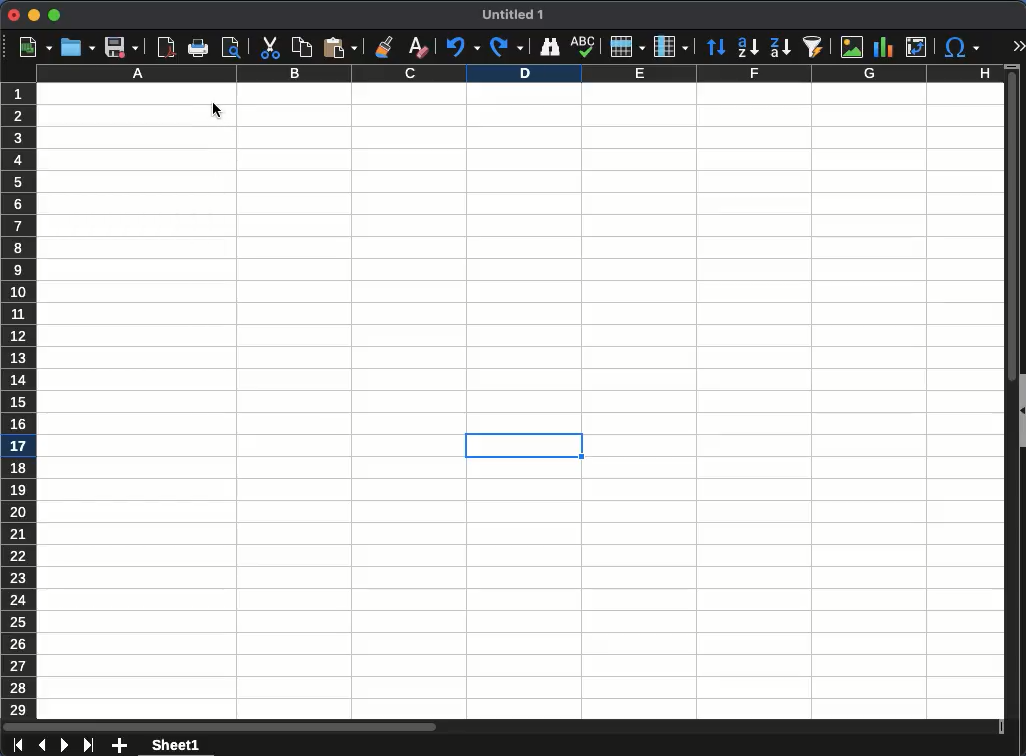 The image size is (1026, 756). Describe the element at coordinates (850, 46) in the screenshot. I see `image` at that location.